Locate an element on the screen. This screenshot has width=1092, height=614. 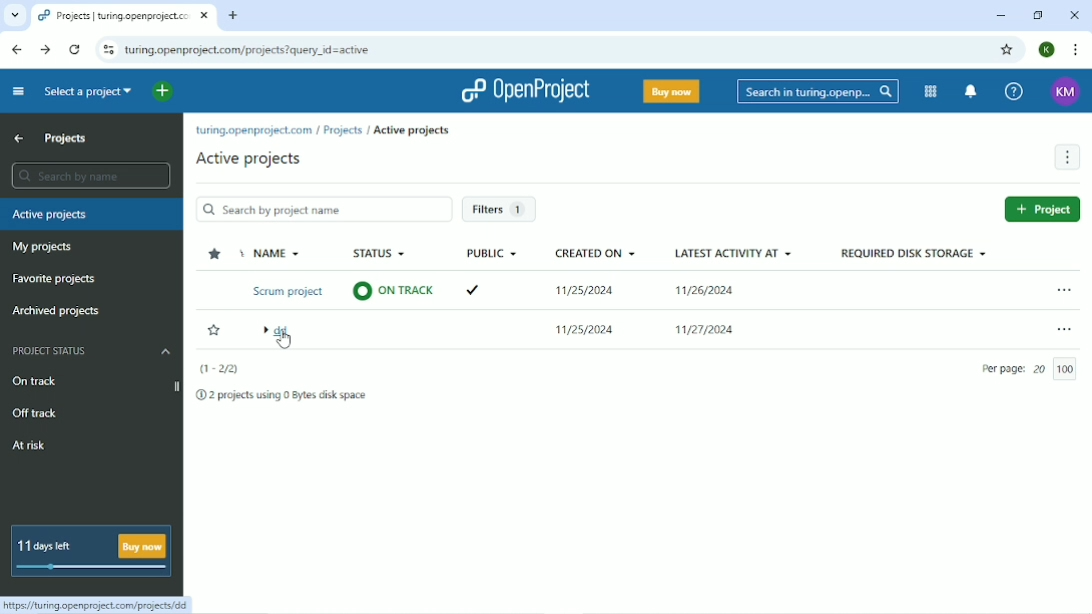
Modules is located at coordinates (930, 91).